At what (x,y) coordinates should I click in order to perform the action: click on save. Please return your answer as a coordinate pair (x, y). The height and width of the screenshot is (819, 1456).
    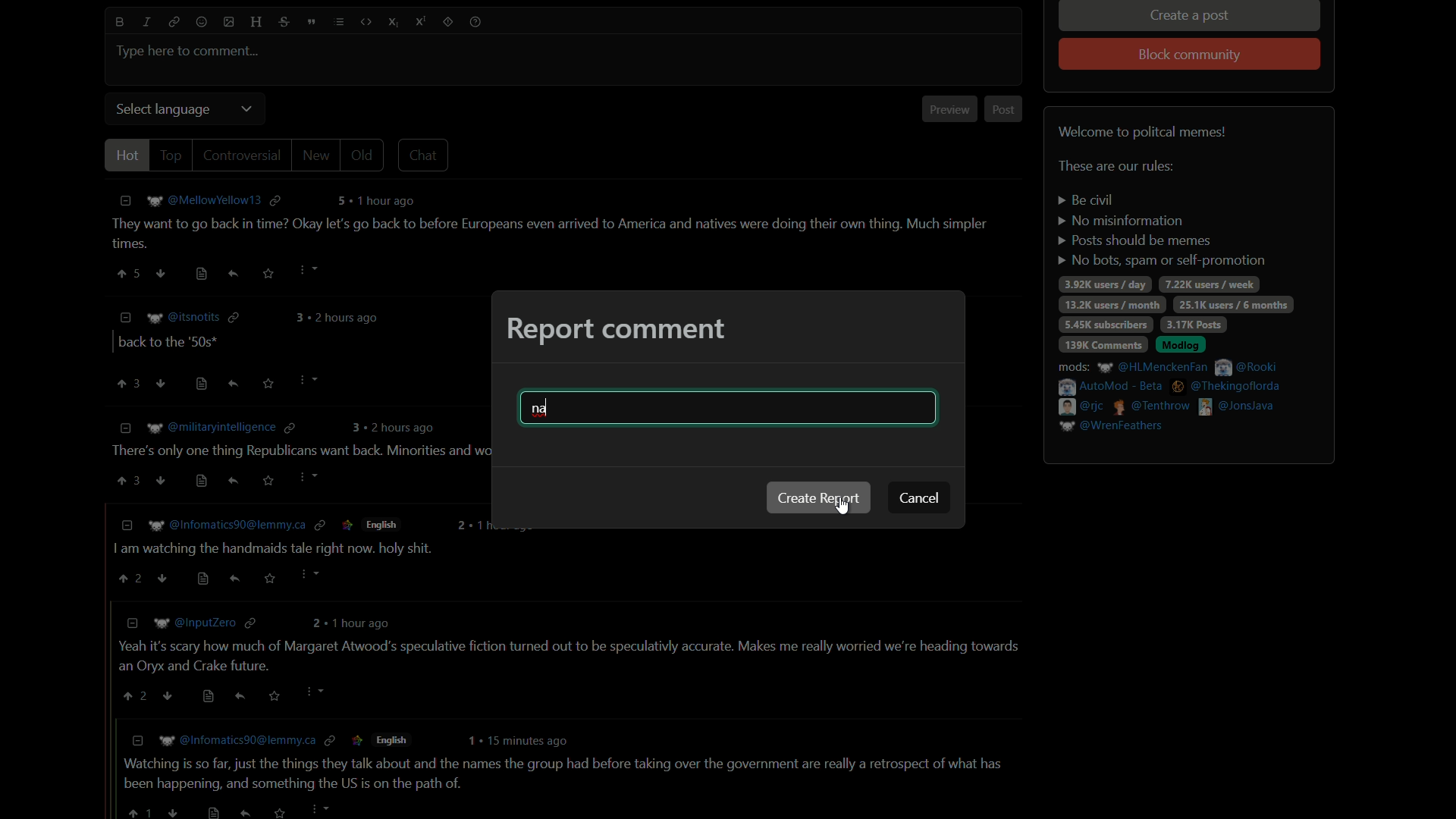
    Looking at the image, I should click on (268, 385).